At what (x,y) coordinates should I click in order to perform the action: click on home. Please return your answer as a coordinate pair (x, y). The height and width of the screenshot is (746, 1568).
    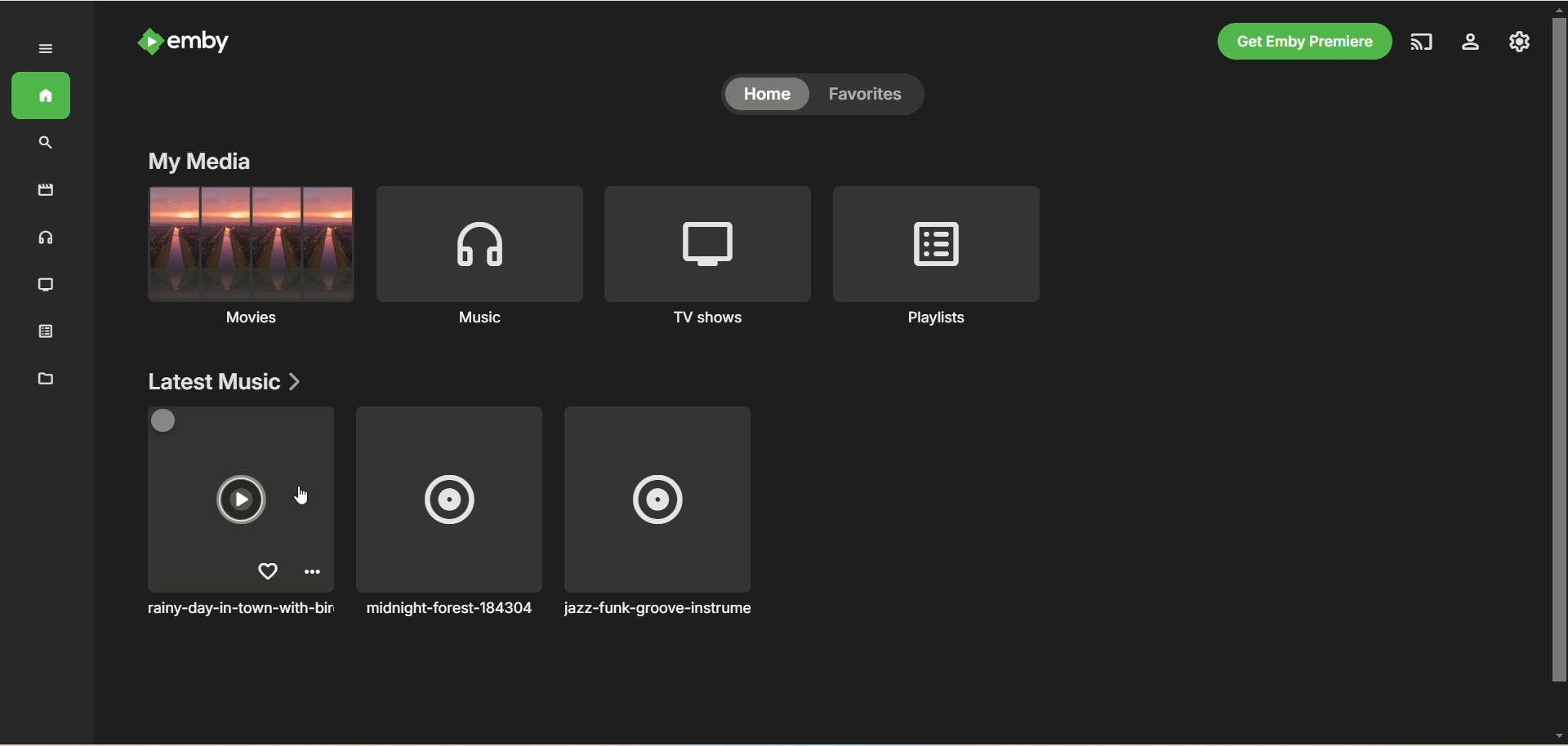
    Looking at the image, I should click on (45, 96).